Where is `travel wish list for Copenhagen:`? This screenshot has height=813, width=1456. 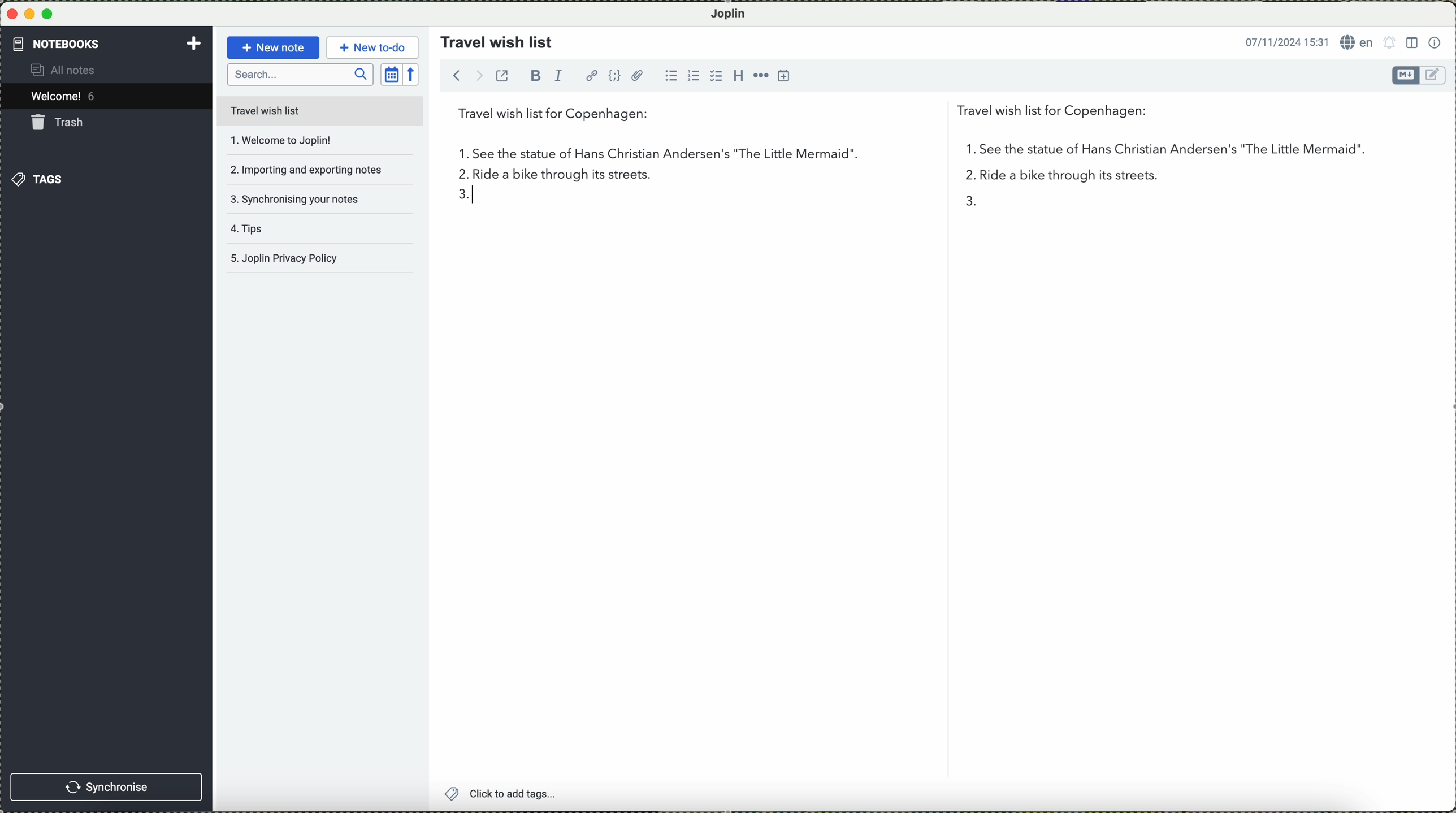
travel wish list for Copenhagen: is located at coordinates (809, 116).